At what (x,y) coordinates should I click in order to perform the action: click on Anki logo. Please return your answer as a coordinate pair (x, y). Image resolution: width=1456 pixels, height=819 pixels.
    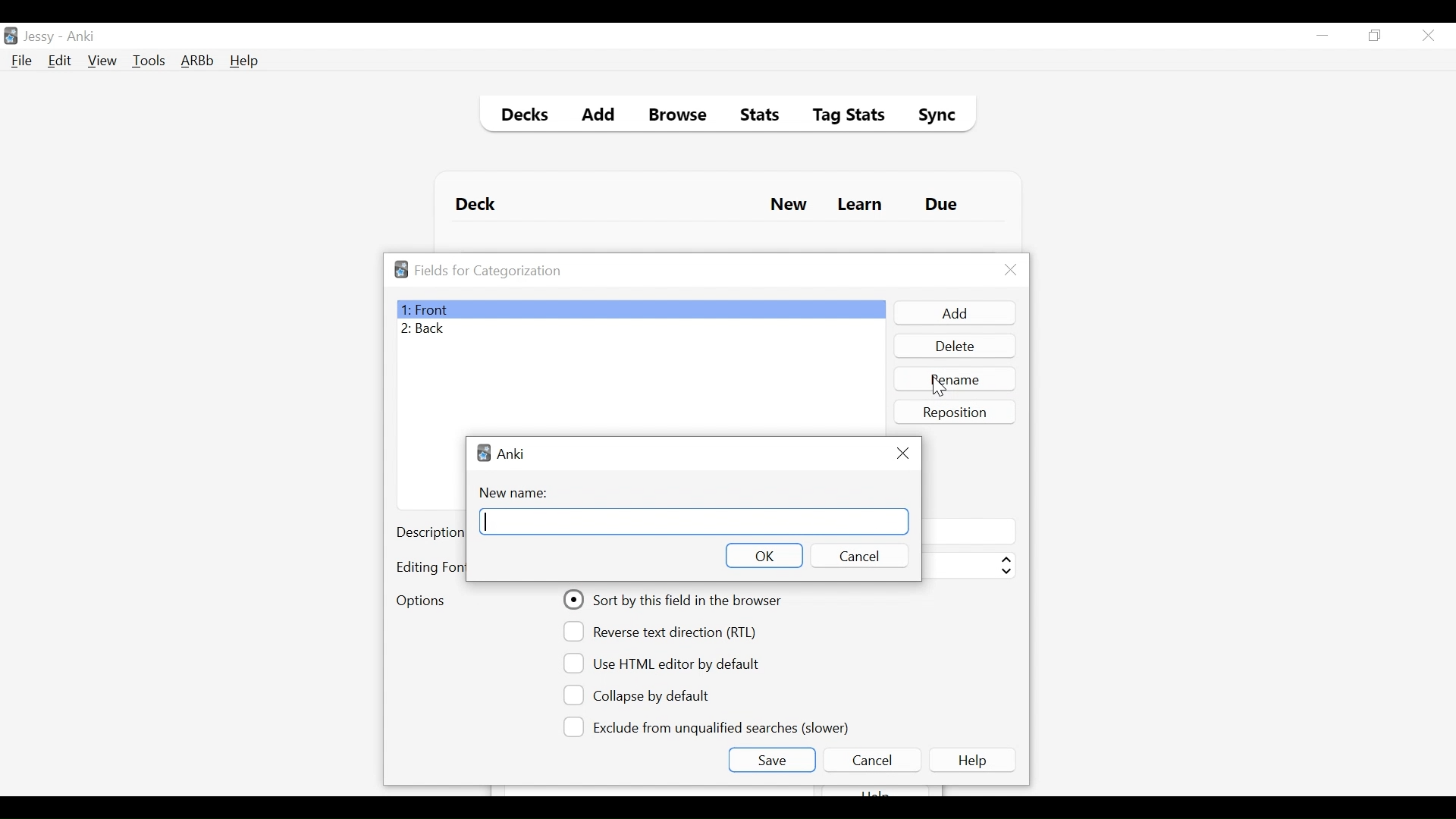
    Looking at the image, I should click on (484, 453).